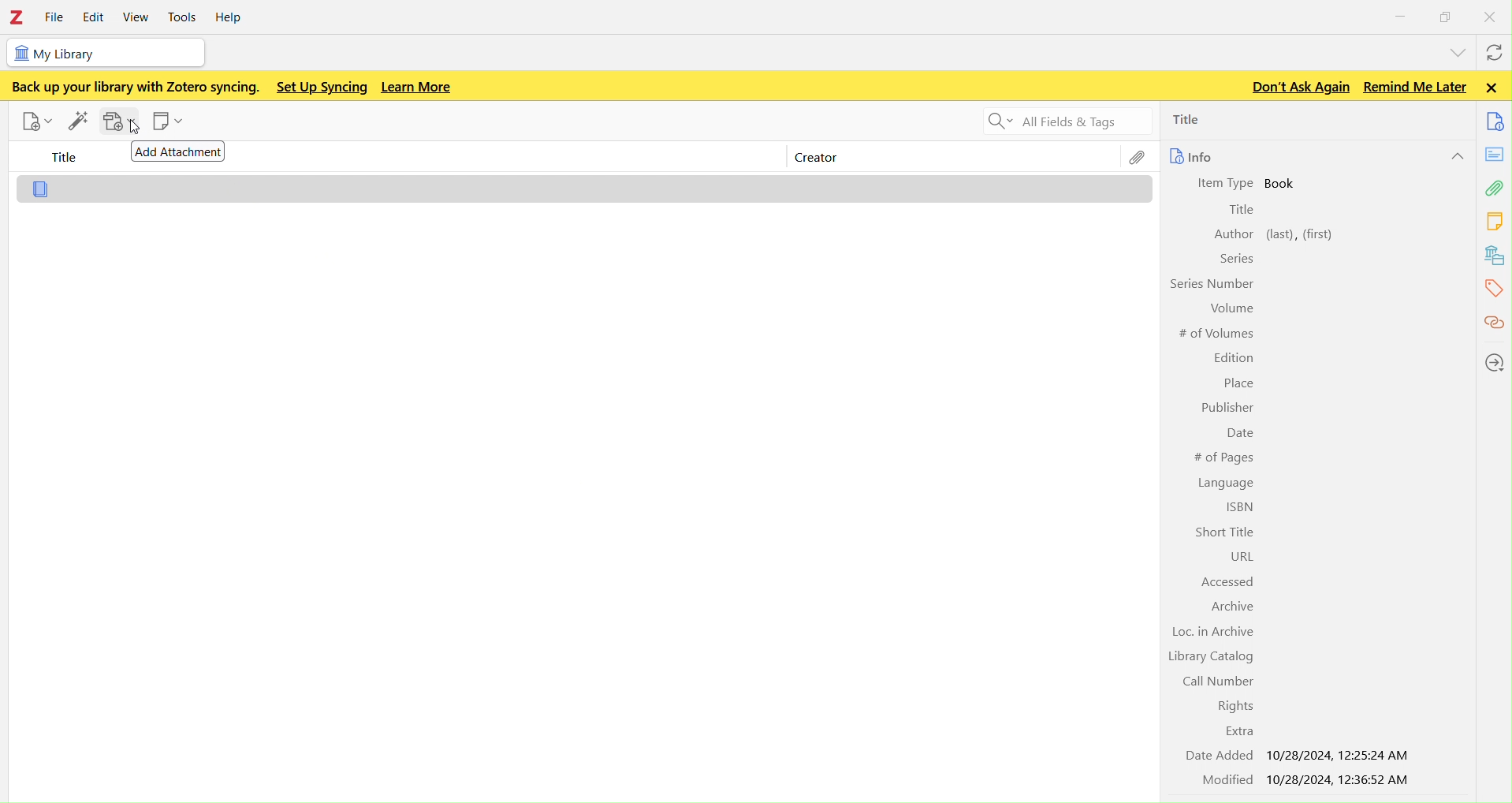 This screenshot has height=803, width=1512. What do you see at coordinates (1343, 755) in the screenshot?
I see `10/28/2024, 12:25:24 AM` at bounding box center [1343, 755].